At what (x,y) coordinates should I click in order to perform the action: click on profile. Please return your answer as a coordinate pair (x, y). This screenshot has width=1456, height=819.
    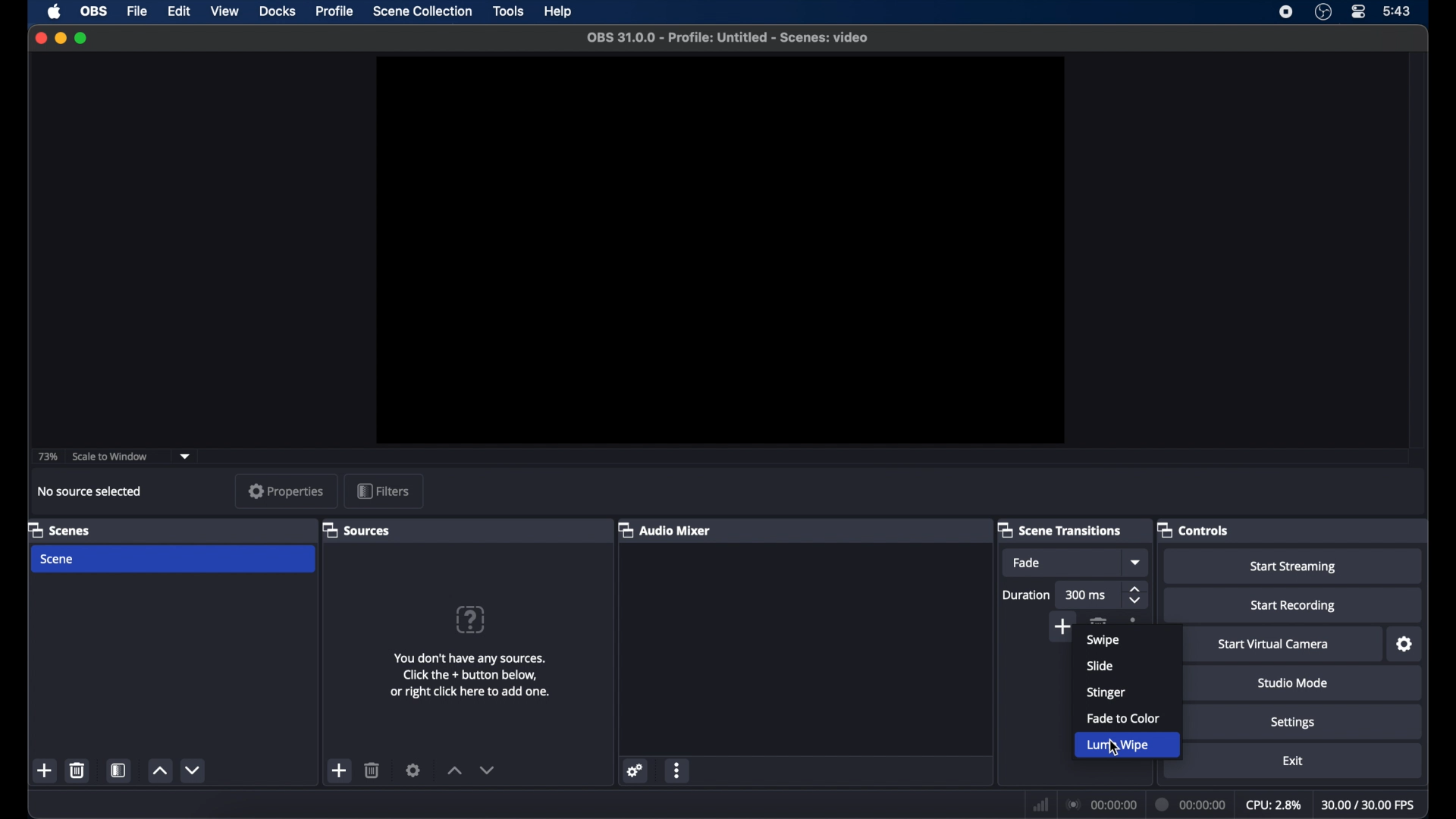
    Looking at the image, I should click on (335, 11).